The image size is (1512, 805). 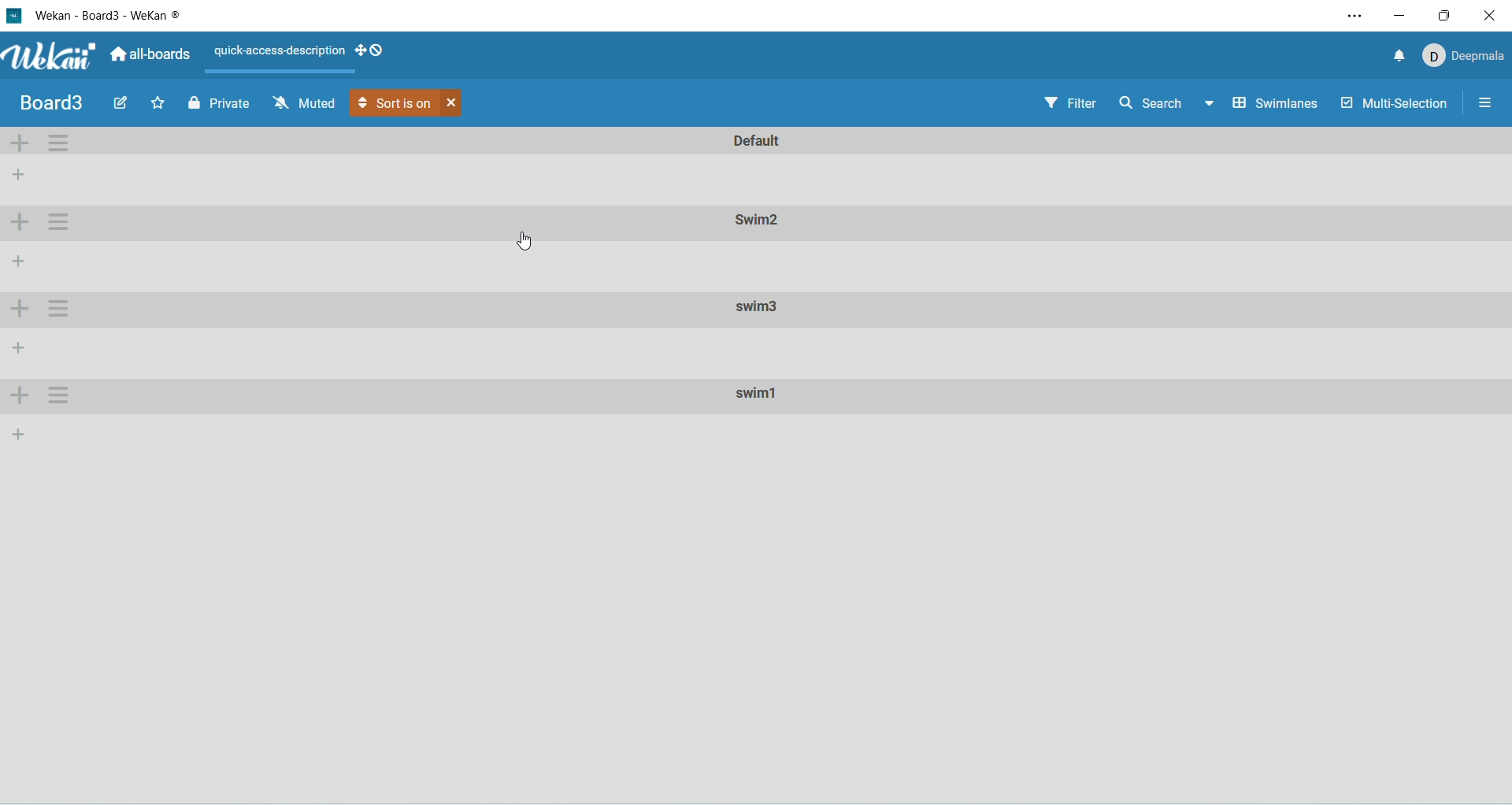 I want to click on options, so click(x=1486, y=103).